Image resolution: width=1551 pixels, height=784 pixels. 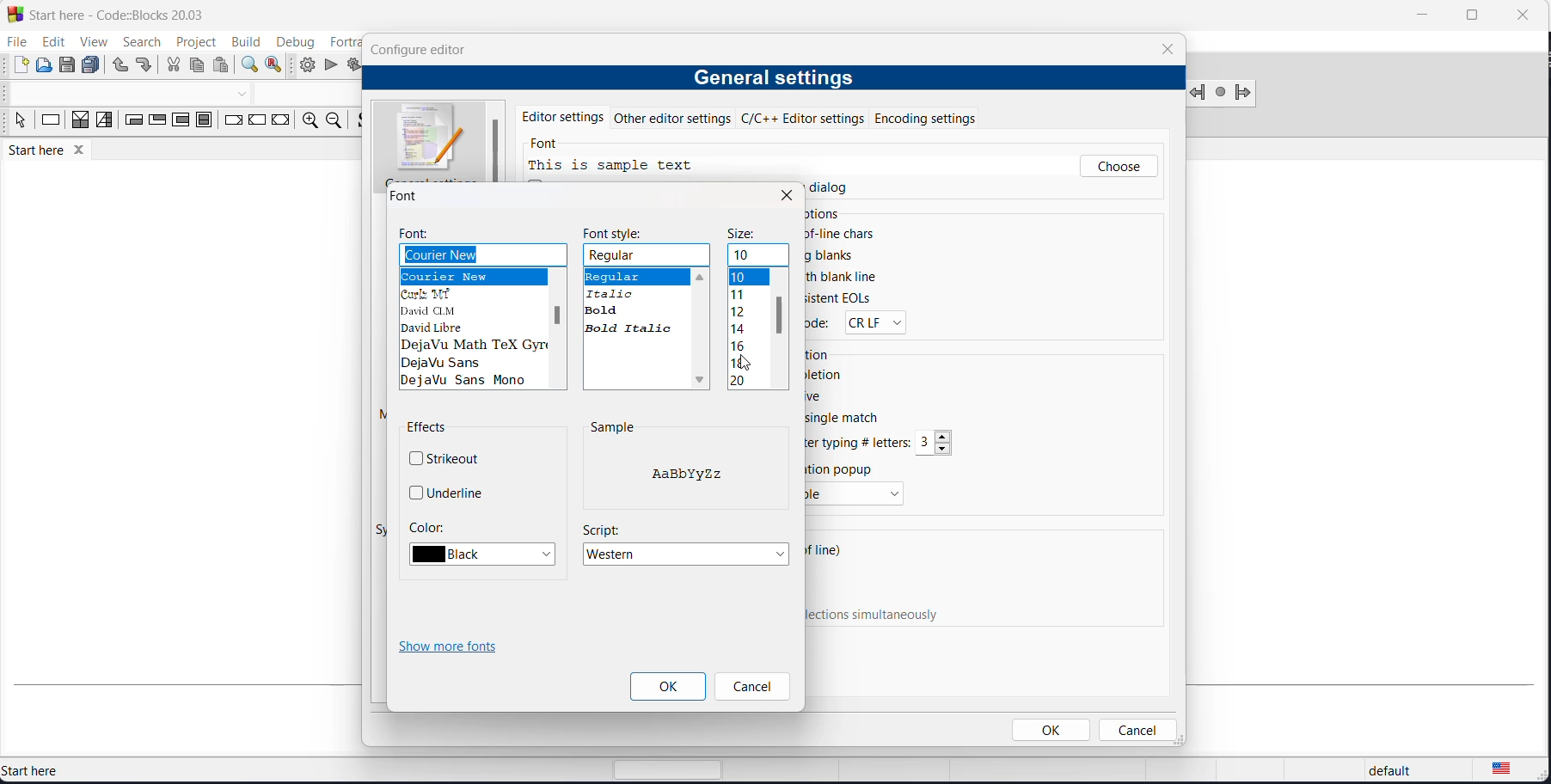 What do you see at coordinates (76, 770) in the screenshot?
I see `start here` at bounding box center [76, 770].